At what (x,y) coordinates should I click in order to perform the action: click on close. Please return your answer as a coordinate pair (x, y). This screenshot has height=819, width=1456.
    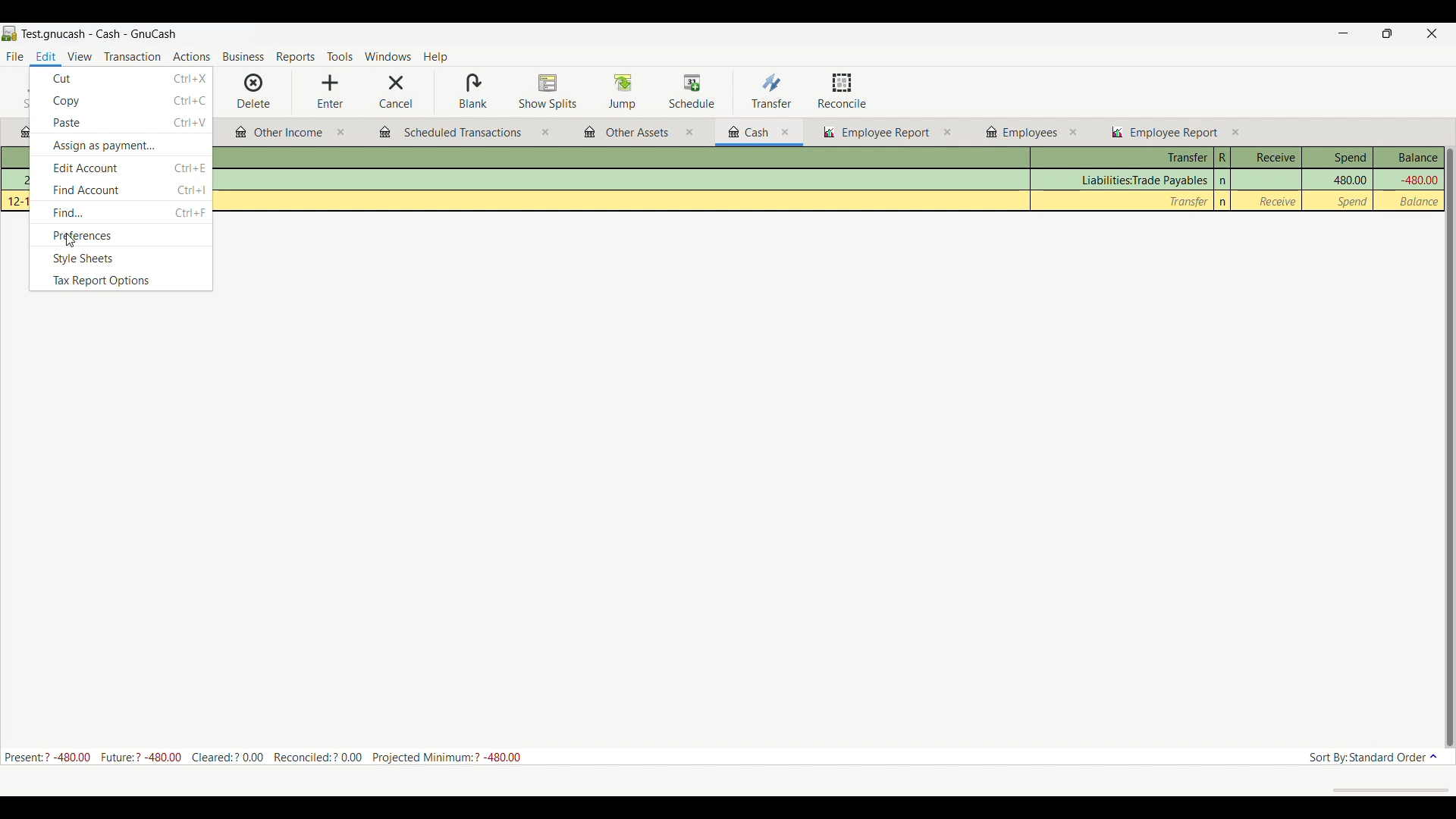
    Looking at the image, I should click on (340, 132).